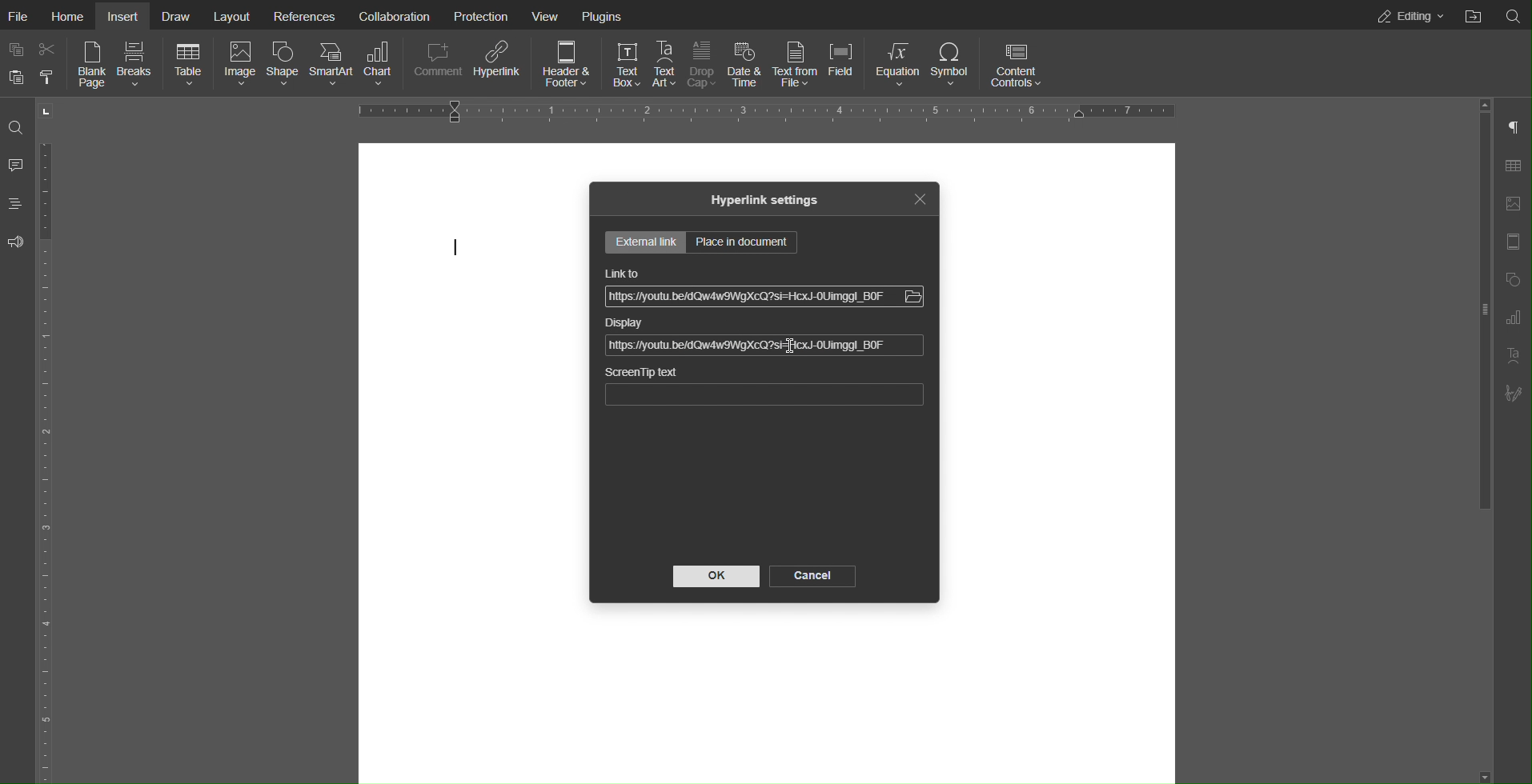 The height and width of the screenshot is (784, 1532). What do you see at coordinates (747, 346) in the screenshot?
I see `Link` at bounding box center [747, 346].